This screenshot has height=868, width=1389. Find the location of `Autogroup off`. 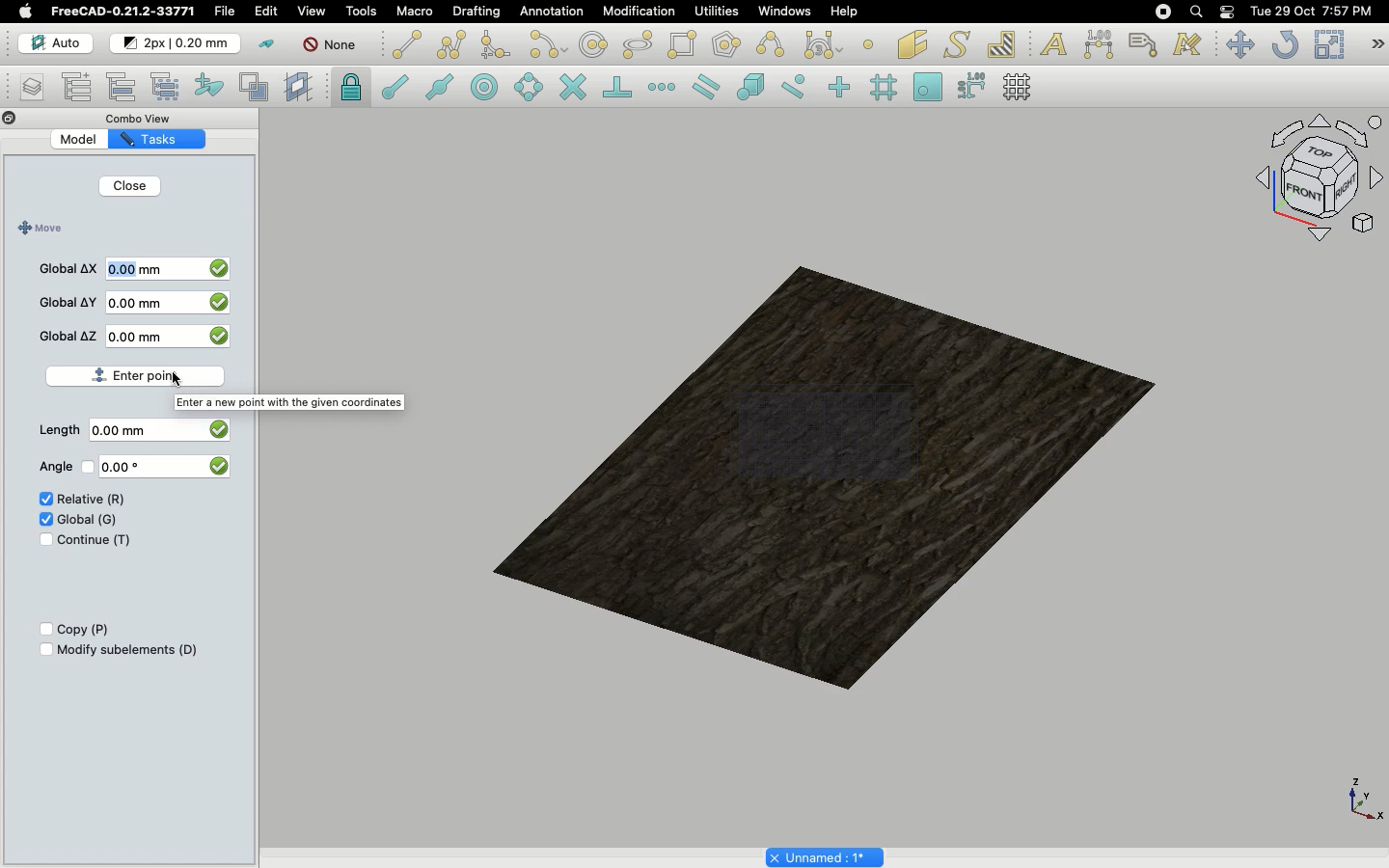

Autogroup off is located at coordinates (333, 46).